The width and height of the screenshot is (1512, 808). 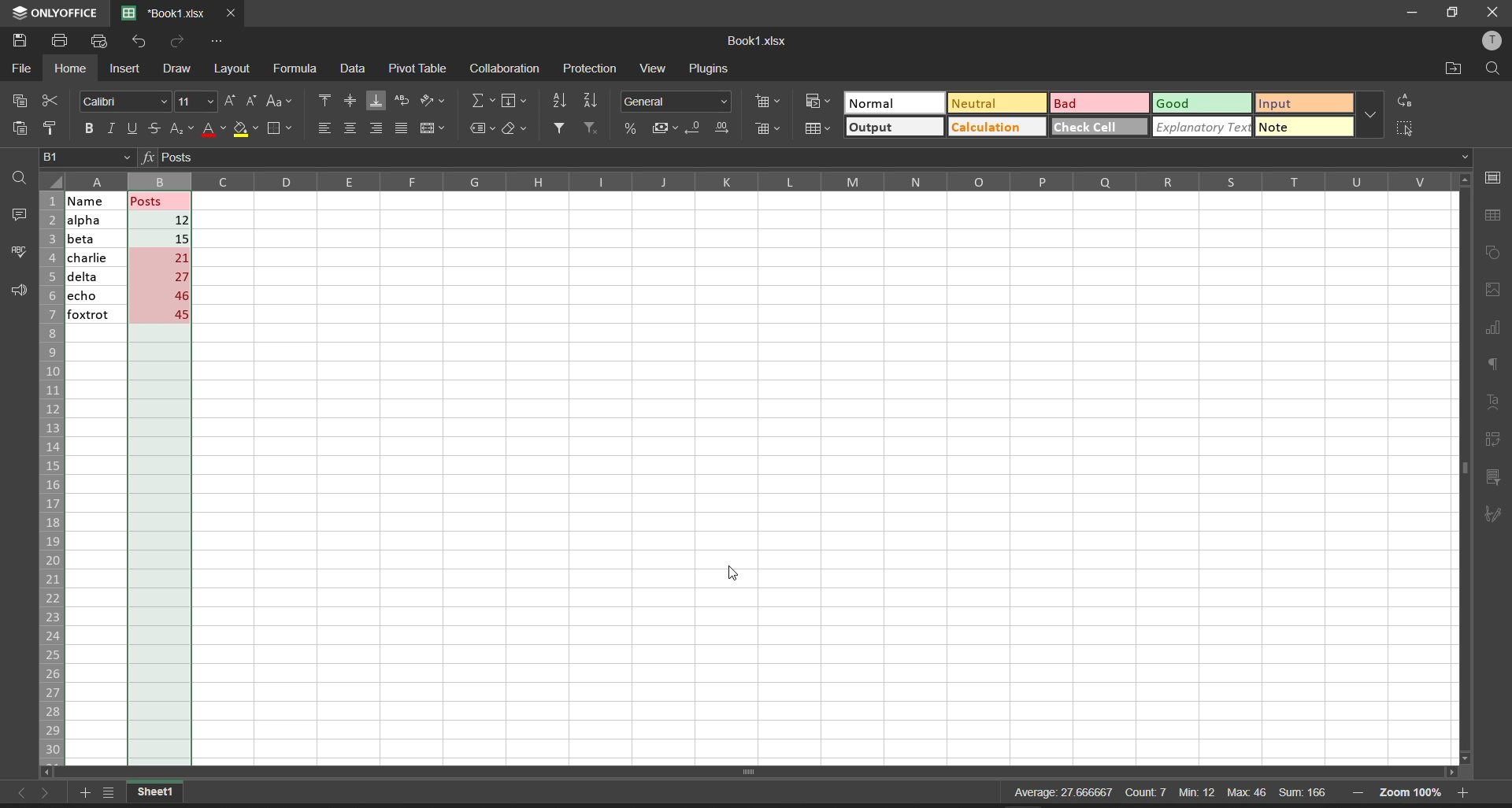 I want to click on increase decimal, so click(x=721, y=128).